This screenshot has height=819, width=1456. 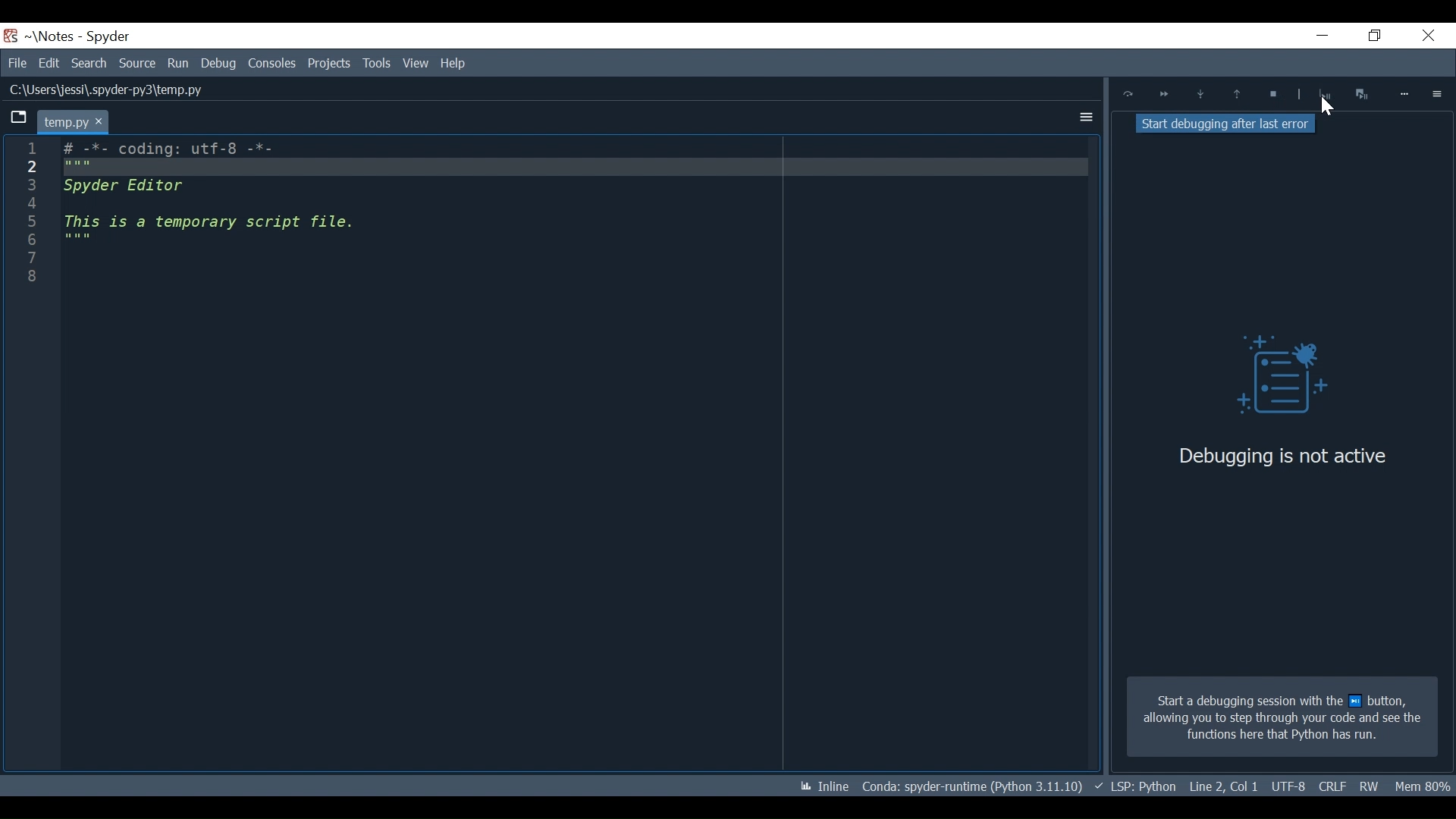 I want to click on Cursor Position, so click(x=1288, y=787).